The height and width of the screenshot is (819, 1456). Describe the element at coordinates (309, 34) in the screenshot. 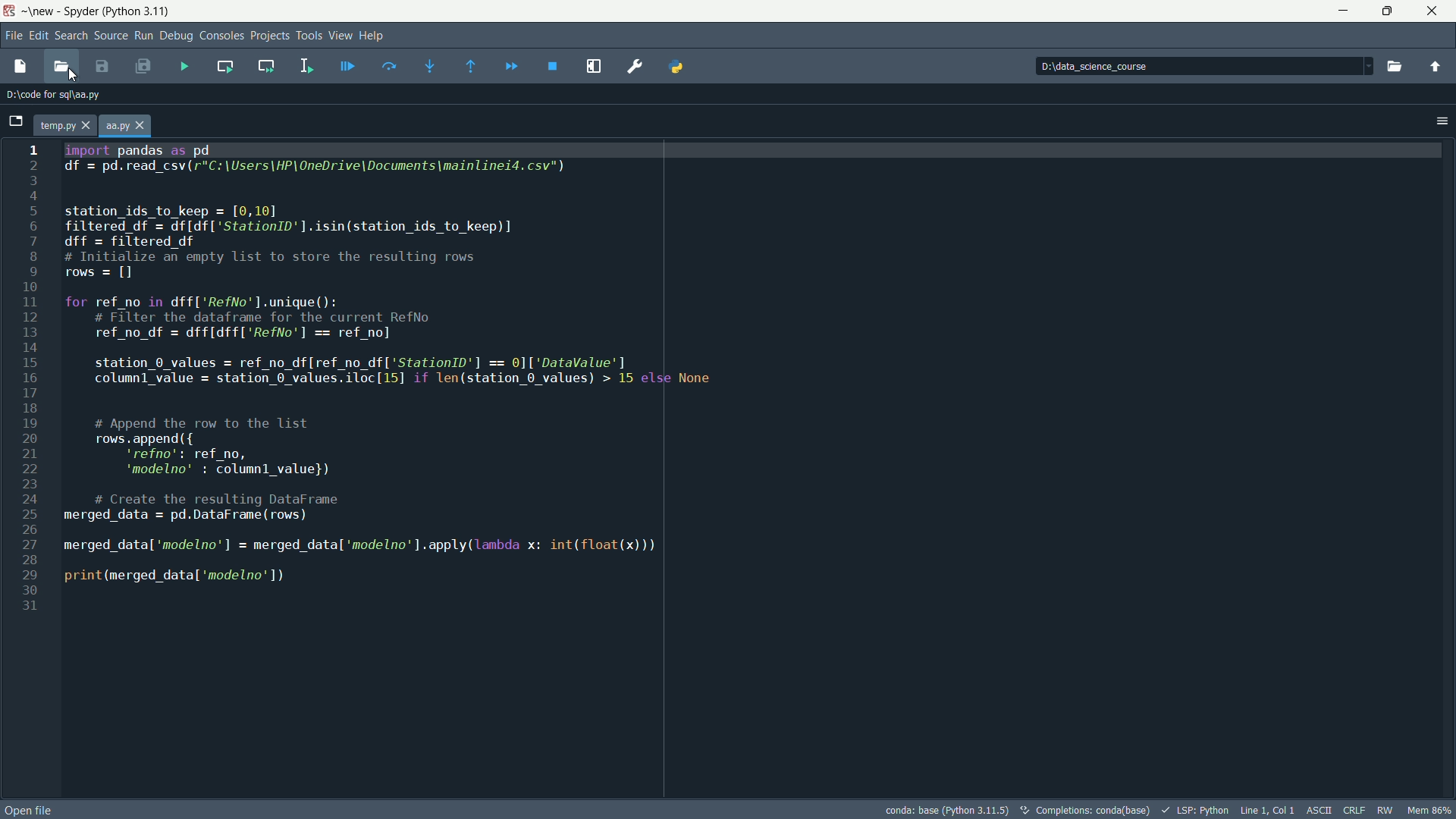

I see `Tools menu` at that location.